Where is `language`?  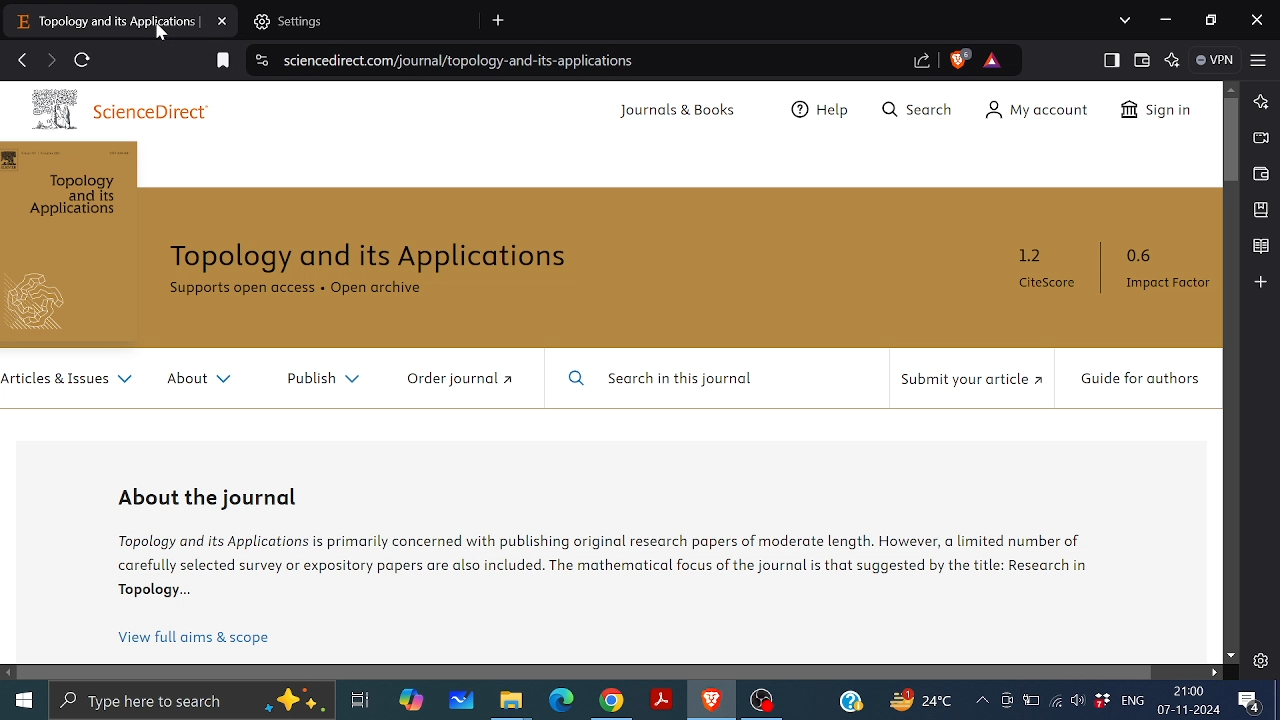 language is located at coordinates (1133, 701).